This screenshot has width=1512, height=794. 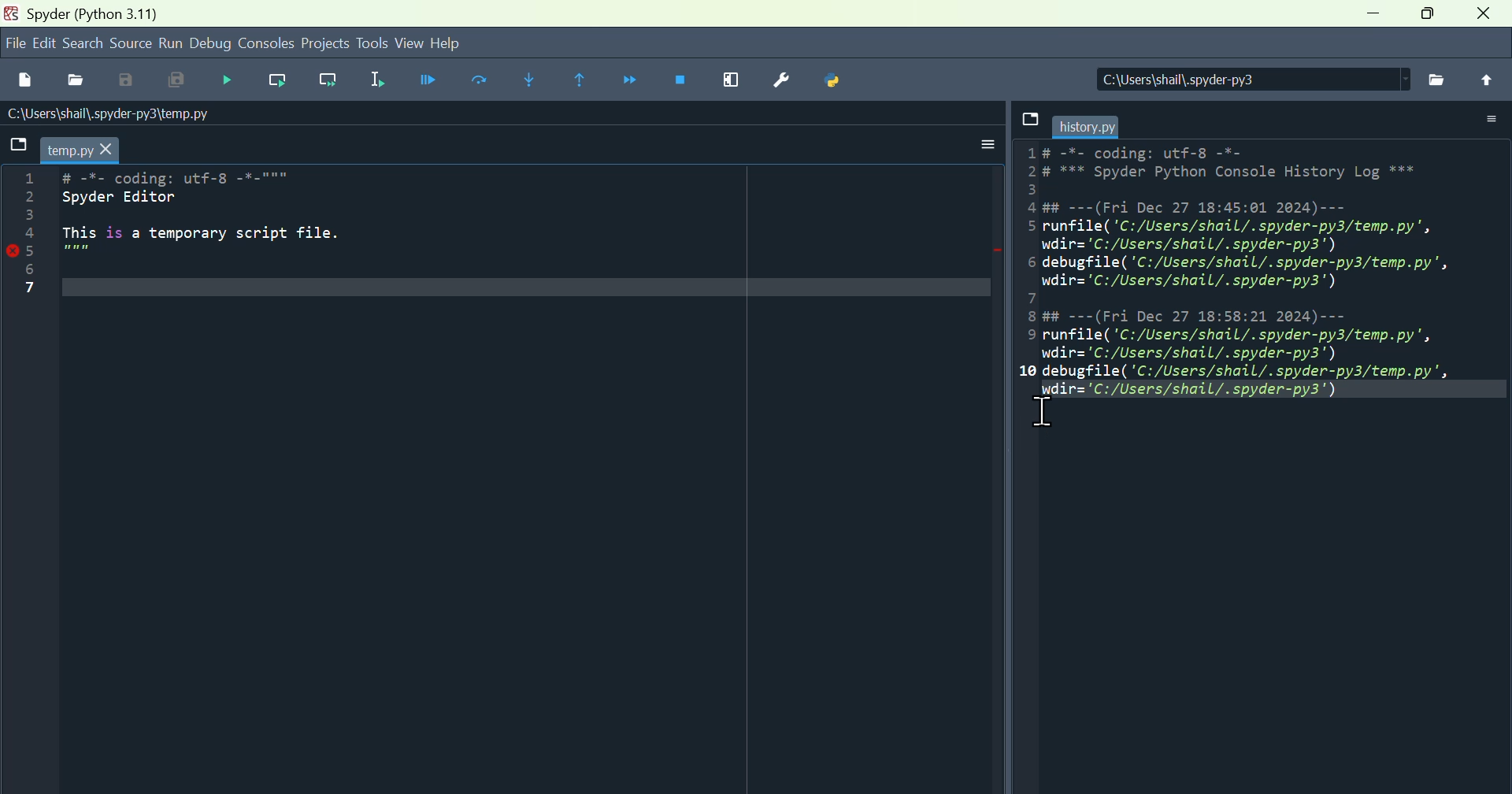 What do you see at coordinates (211, 46) in the screenshot?
I see `Debug` at bounding box center [211, 46].